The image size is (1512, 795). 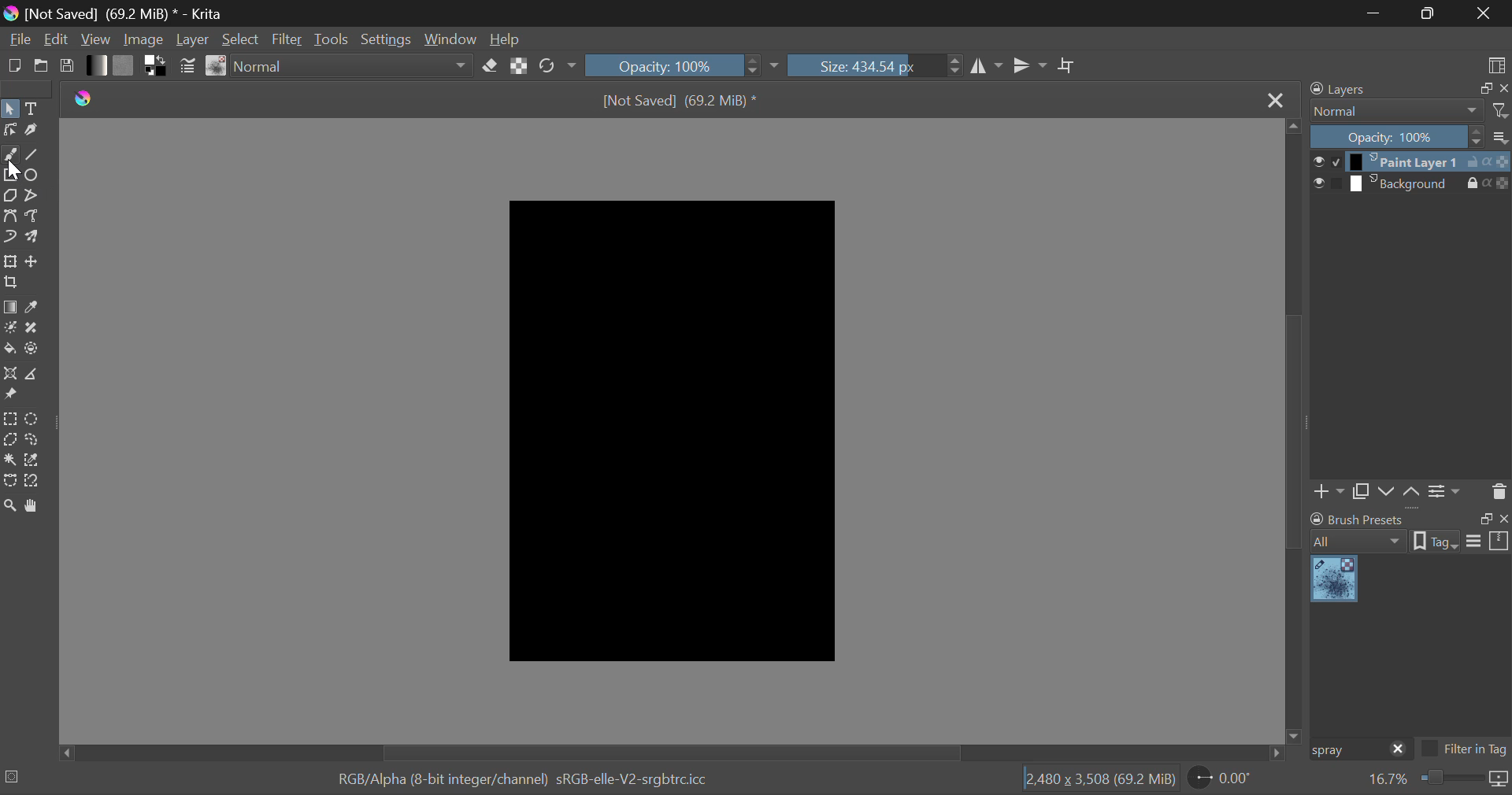 What do you see at coordinates (98, 39) in the screenshot?
I see `View` at bounding box center [98, 39].